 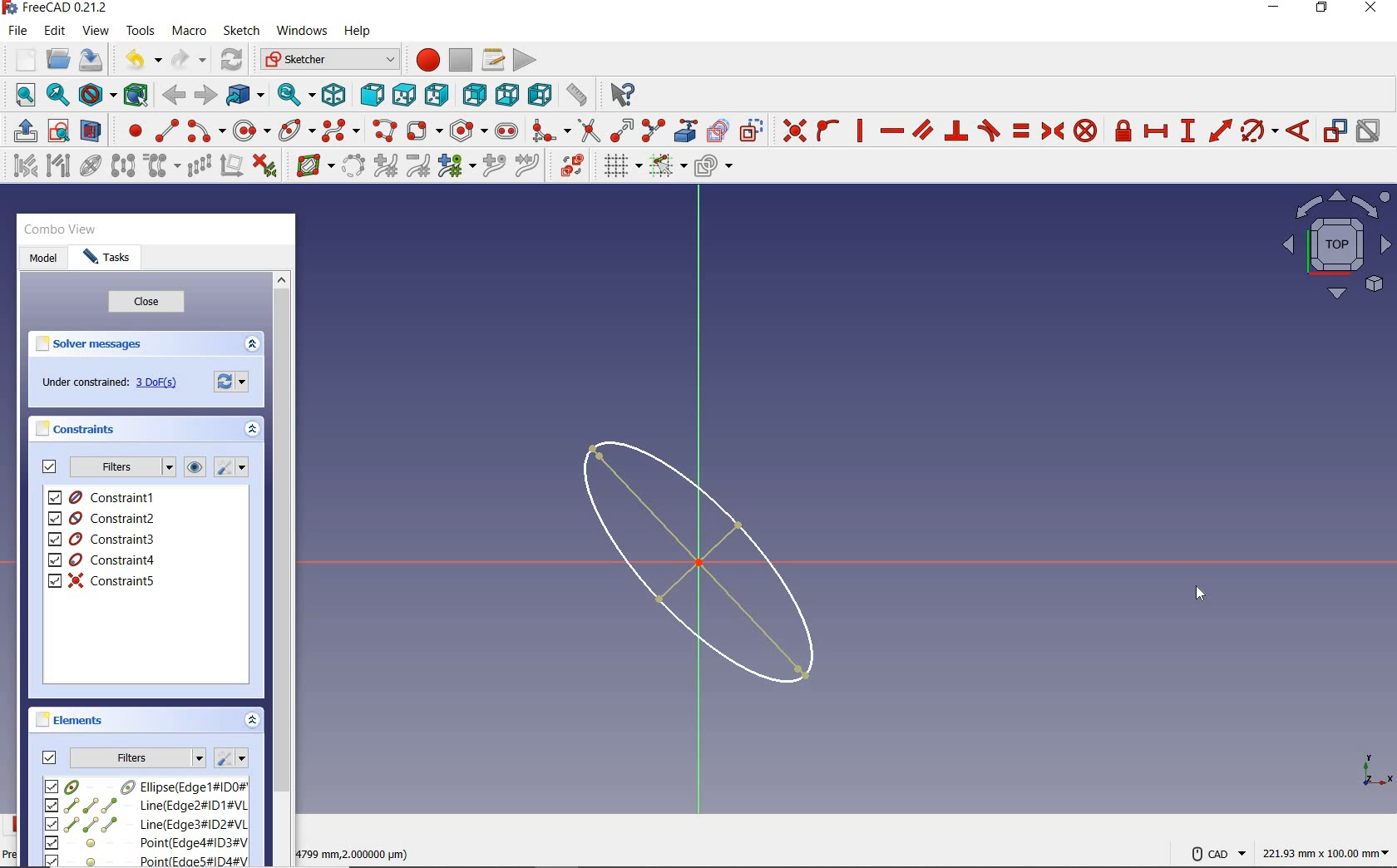 I want to click on delete all constraints, so click(x=264, y=165).